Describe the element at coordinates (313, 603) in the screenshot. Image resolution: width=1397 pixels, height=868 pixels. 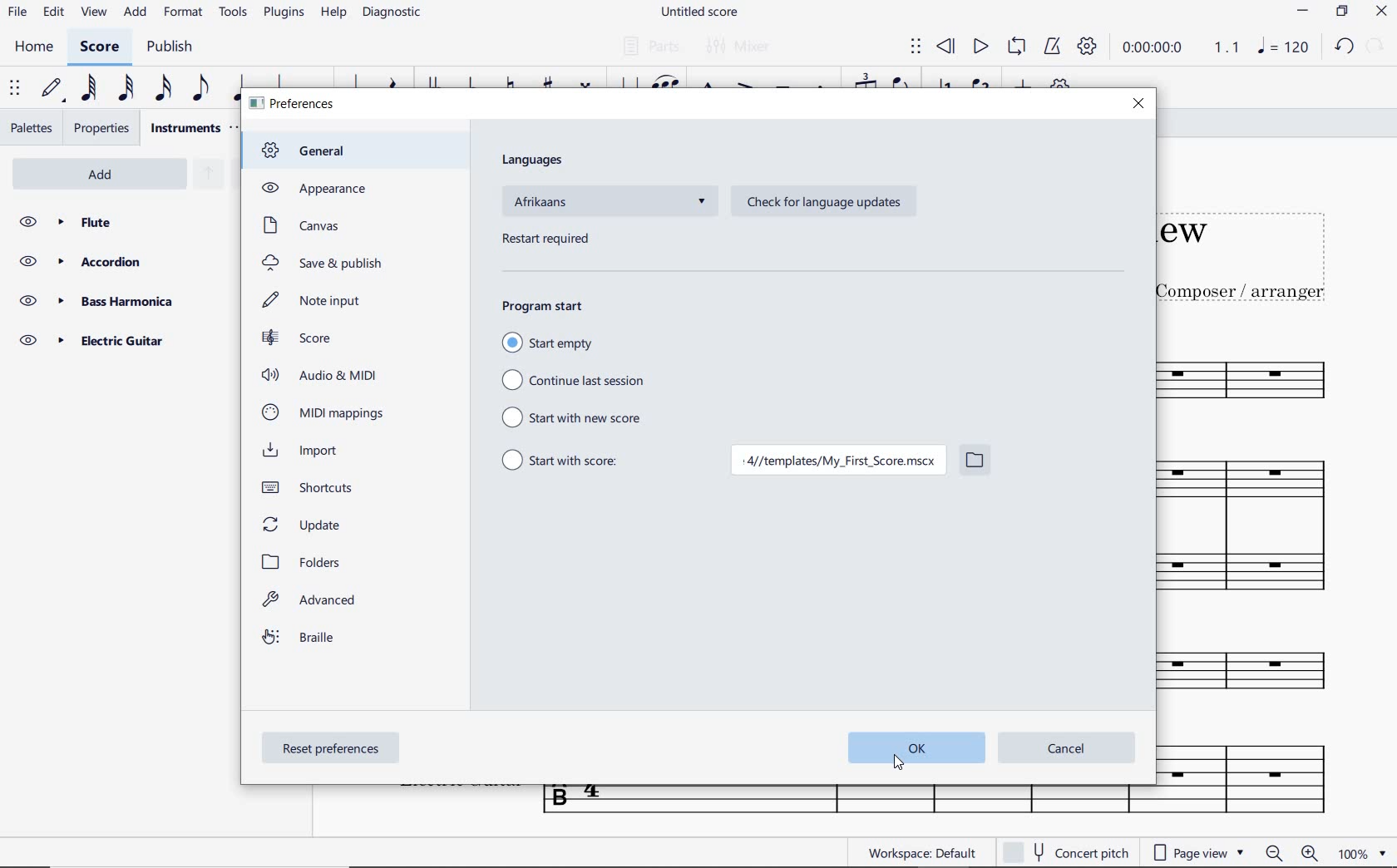
I see `advanced` at that location.